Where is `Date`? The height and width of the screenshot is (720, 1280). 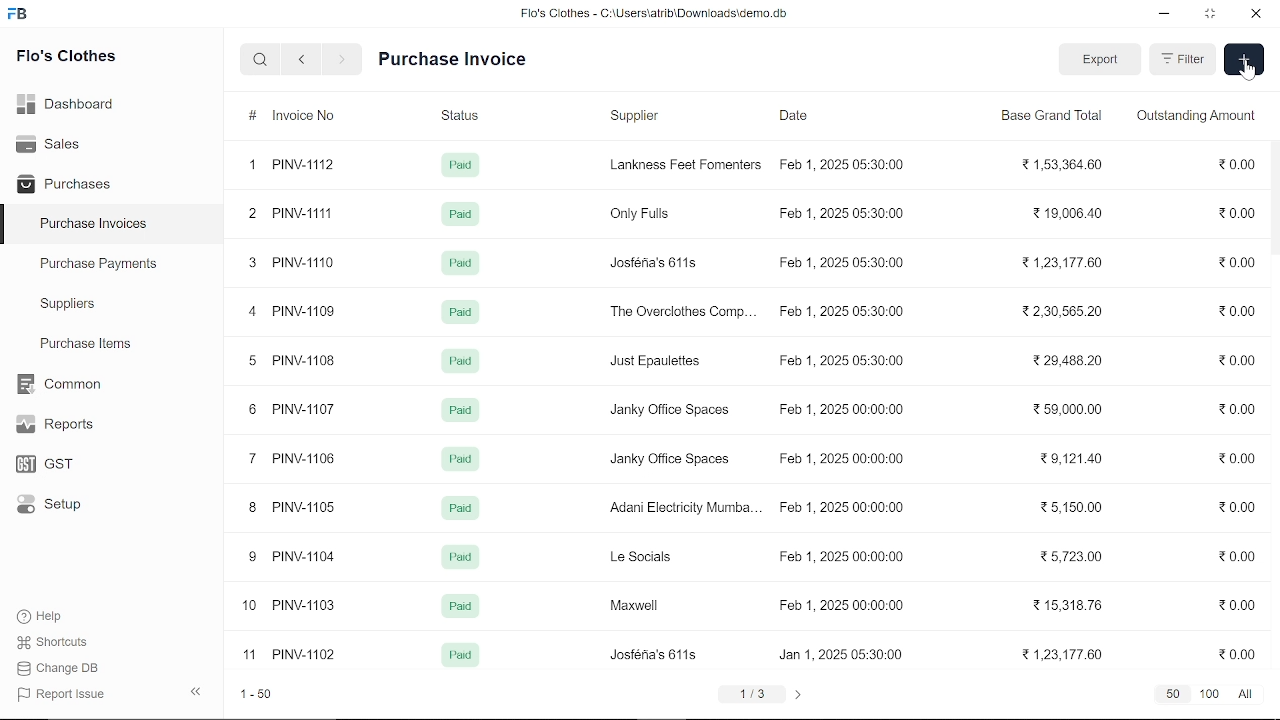 Date is located at coordinates (787, 115).